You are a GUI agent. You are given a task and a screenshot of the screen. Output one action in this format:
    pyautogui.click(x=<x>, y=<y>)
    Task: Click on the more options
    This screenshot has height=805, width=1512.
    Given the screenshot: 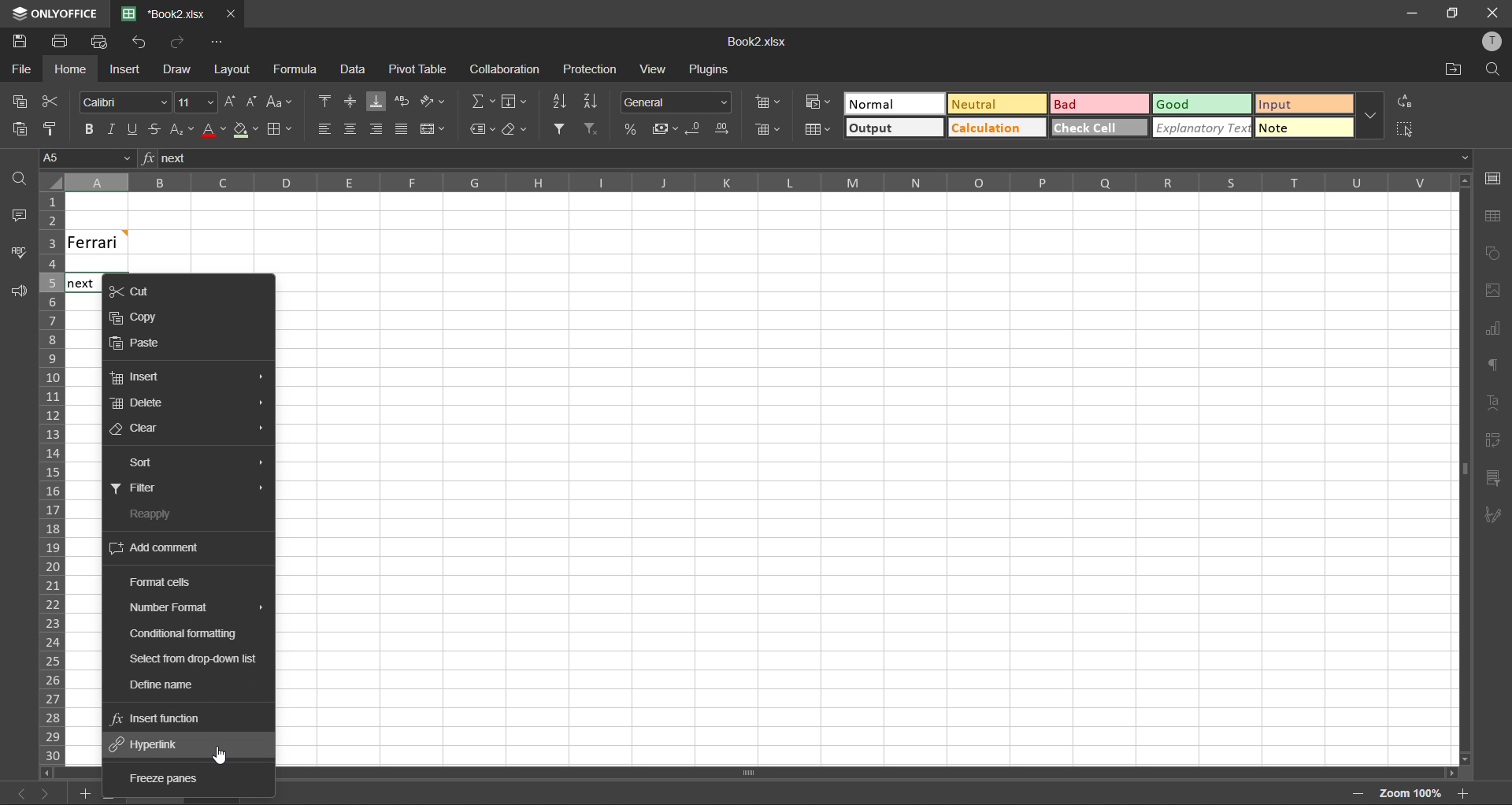 What is the action you would take?
    pyautogui.click(x=1369, y=115)
    